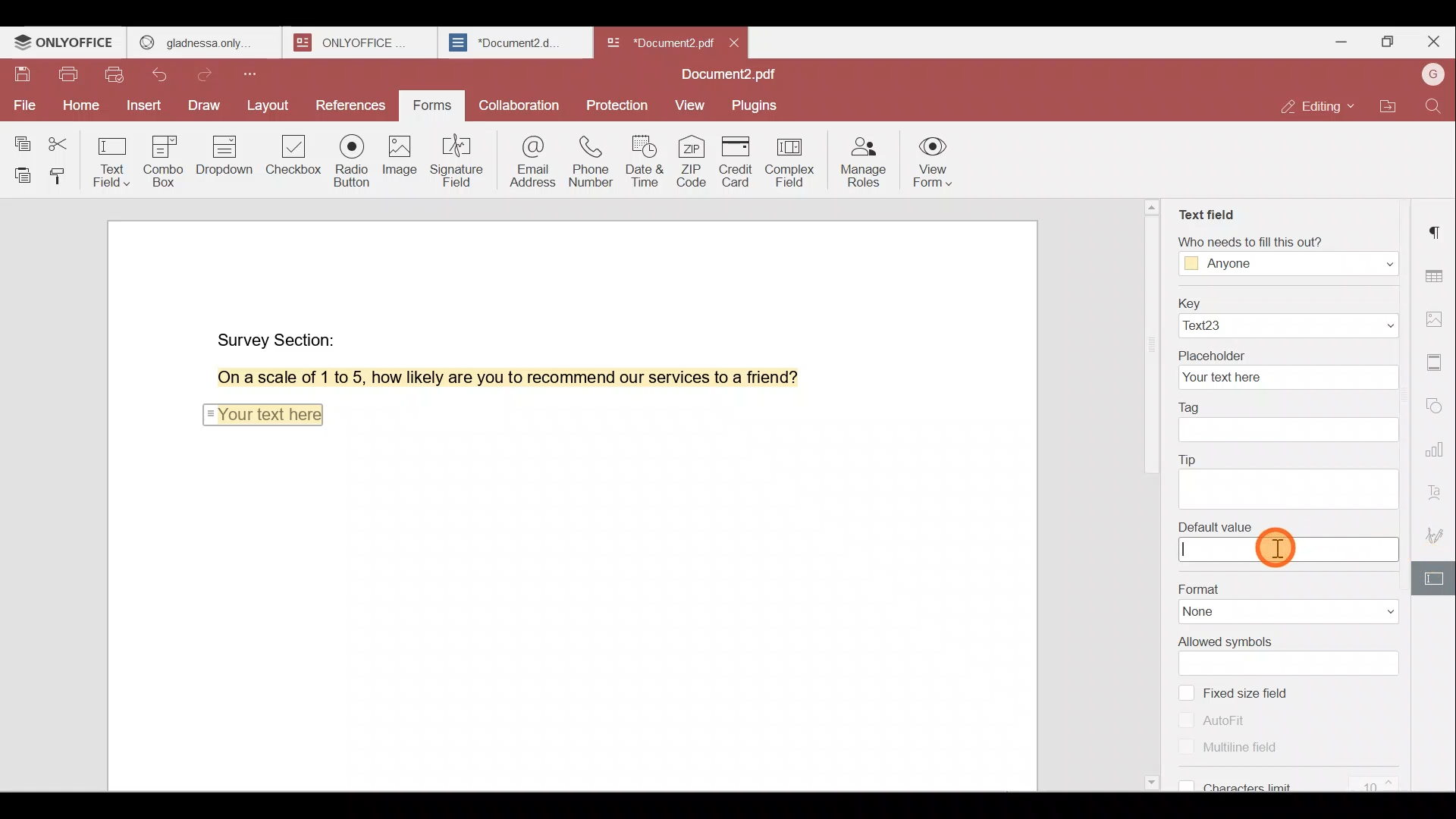  I want to click on Copy style, so click(61, 175).